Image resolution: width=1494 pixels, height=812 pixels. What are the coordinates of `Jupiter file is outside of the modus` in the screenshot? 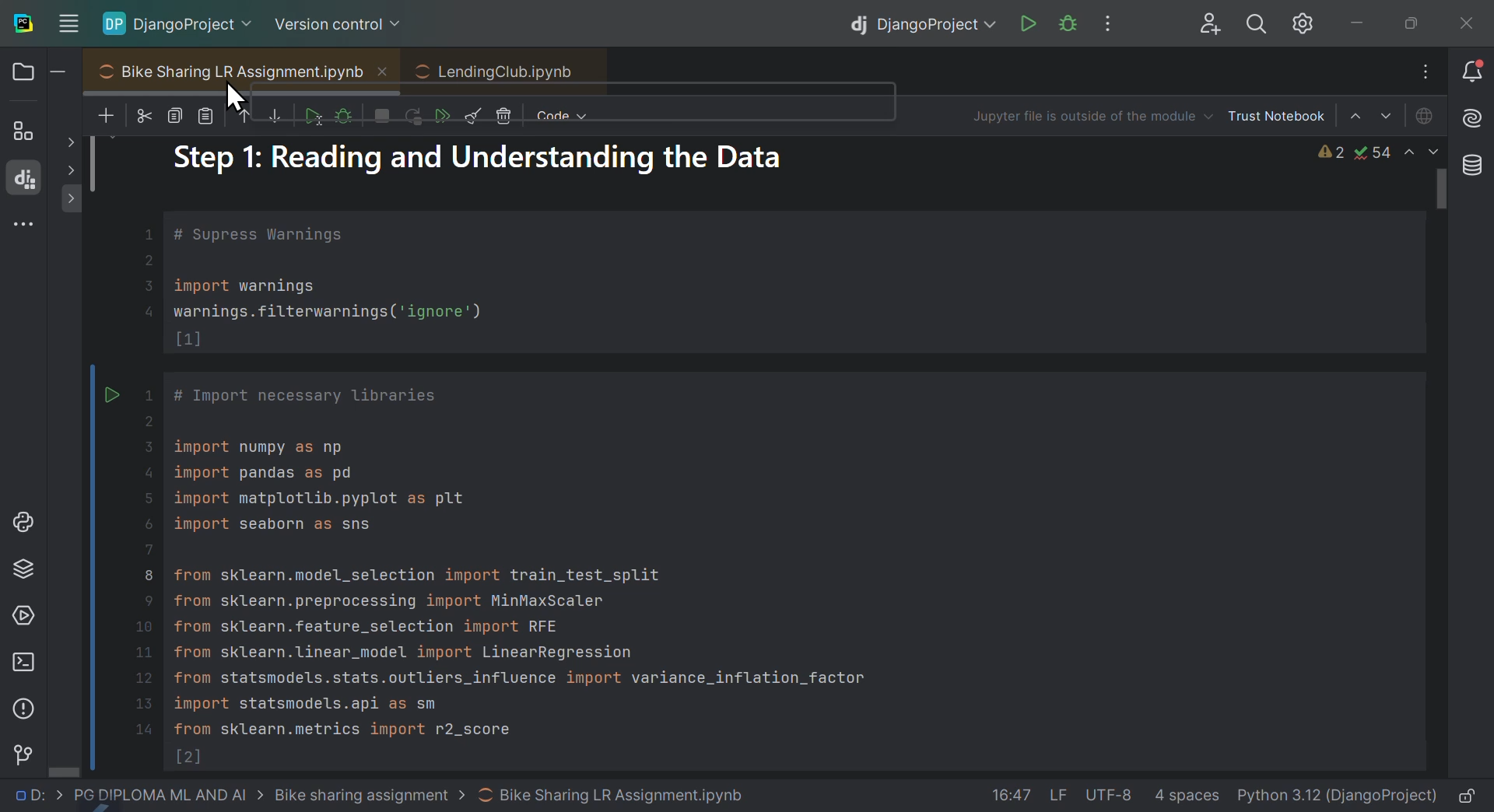 It's located at (1078, 118).